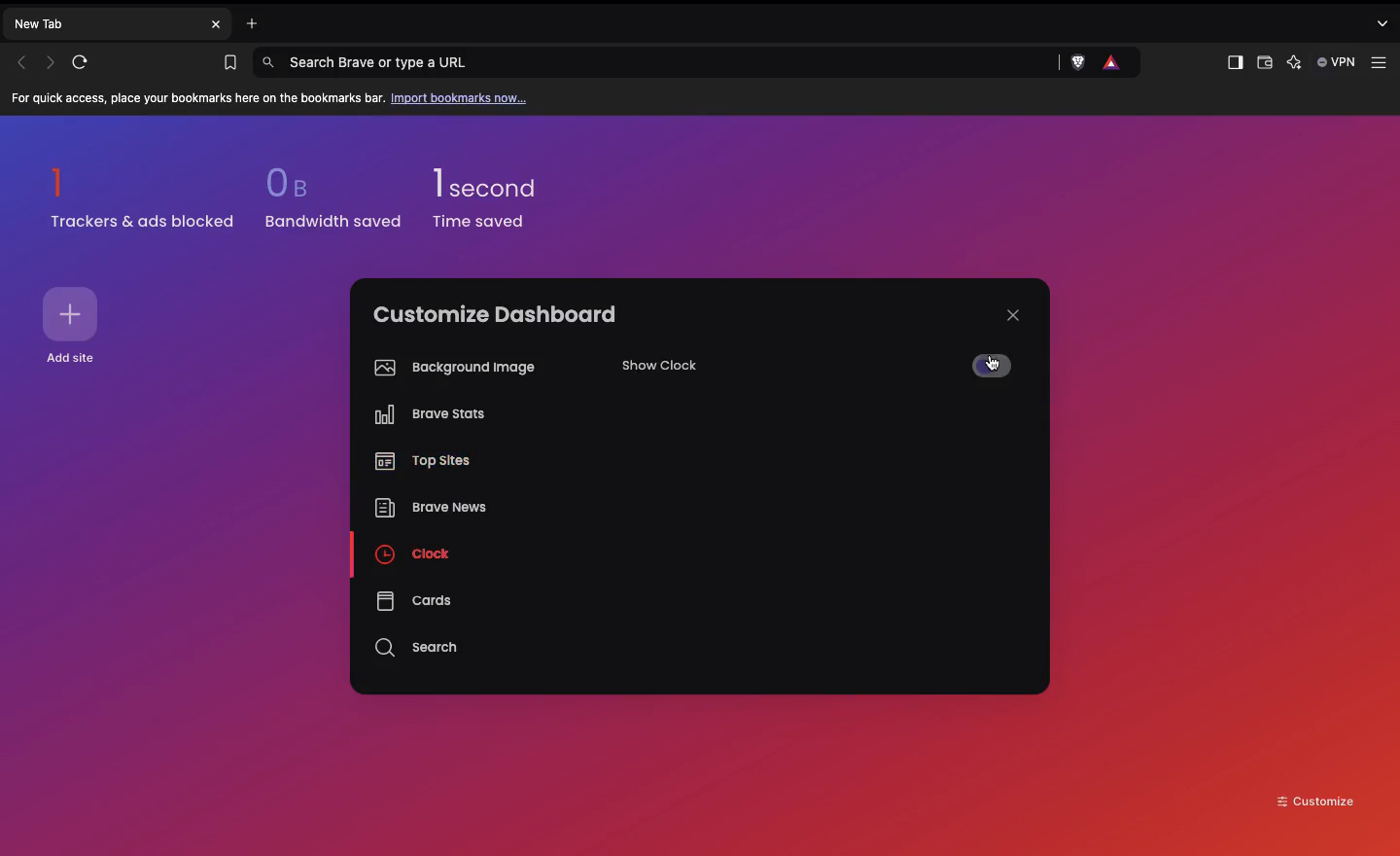 The image size is (1400, 856). Describe the element at coordinates (87, 62) in the screenshot. I see `Refresh page` at that location.